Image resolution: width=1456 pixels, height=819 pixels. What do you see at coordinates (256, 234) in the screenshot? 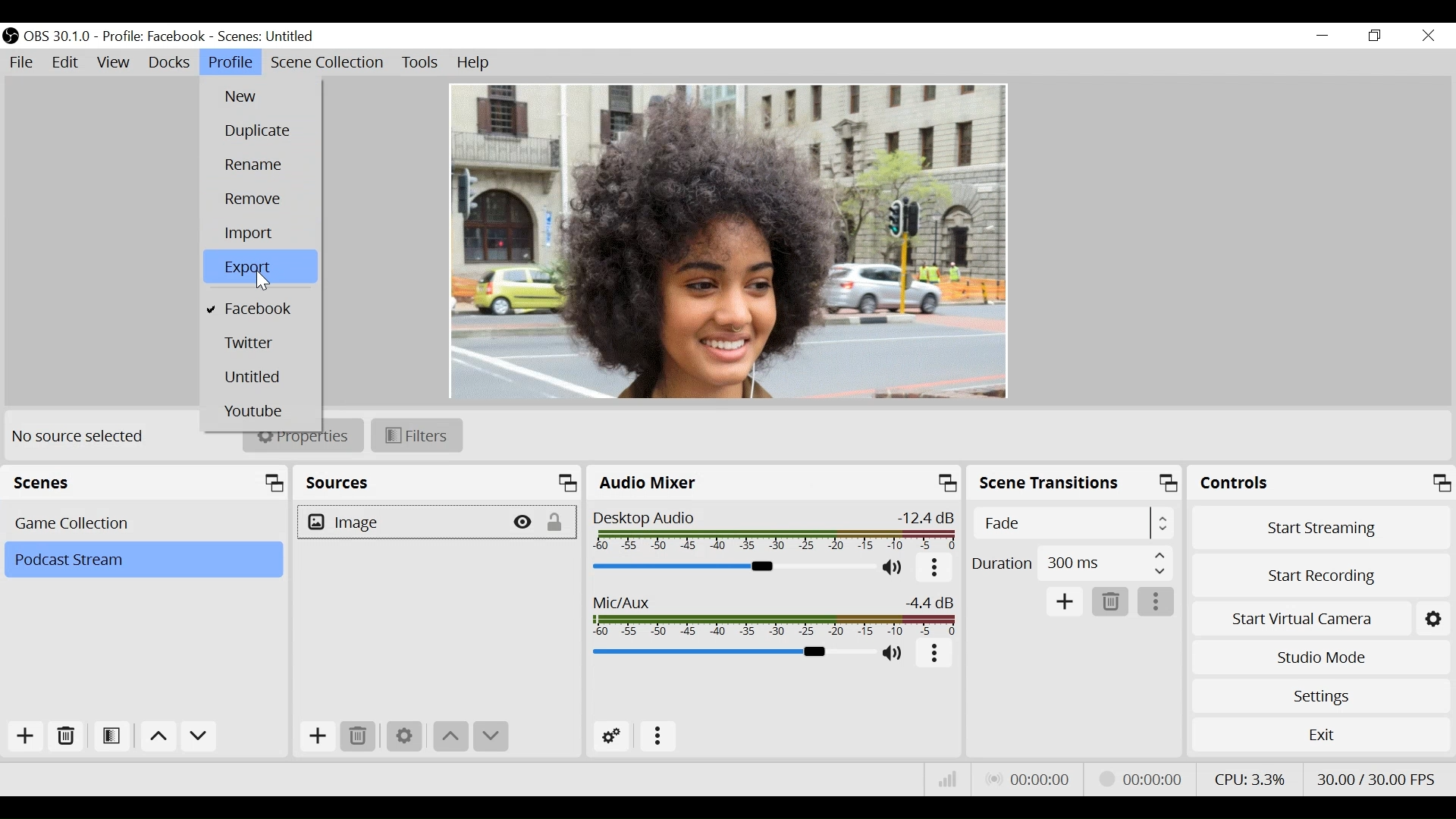
I see `Import` at bounding box center [256, 234].